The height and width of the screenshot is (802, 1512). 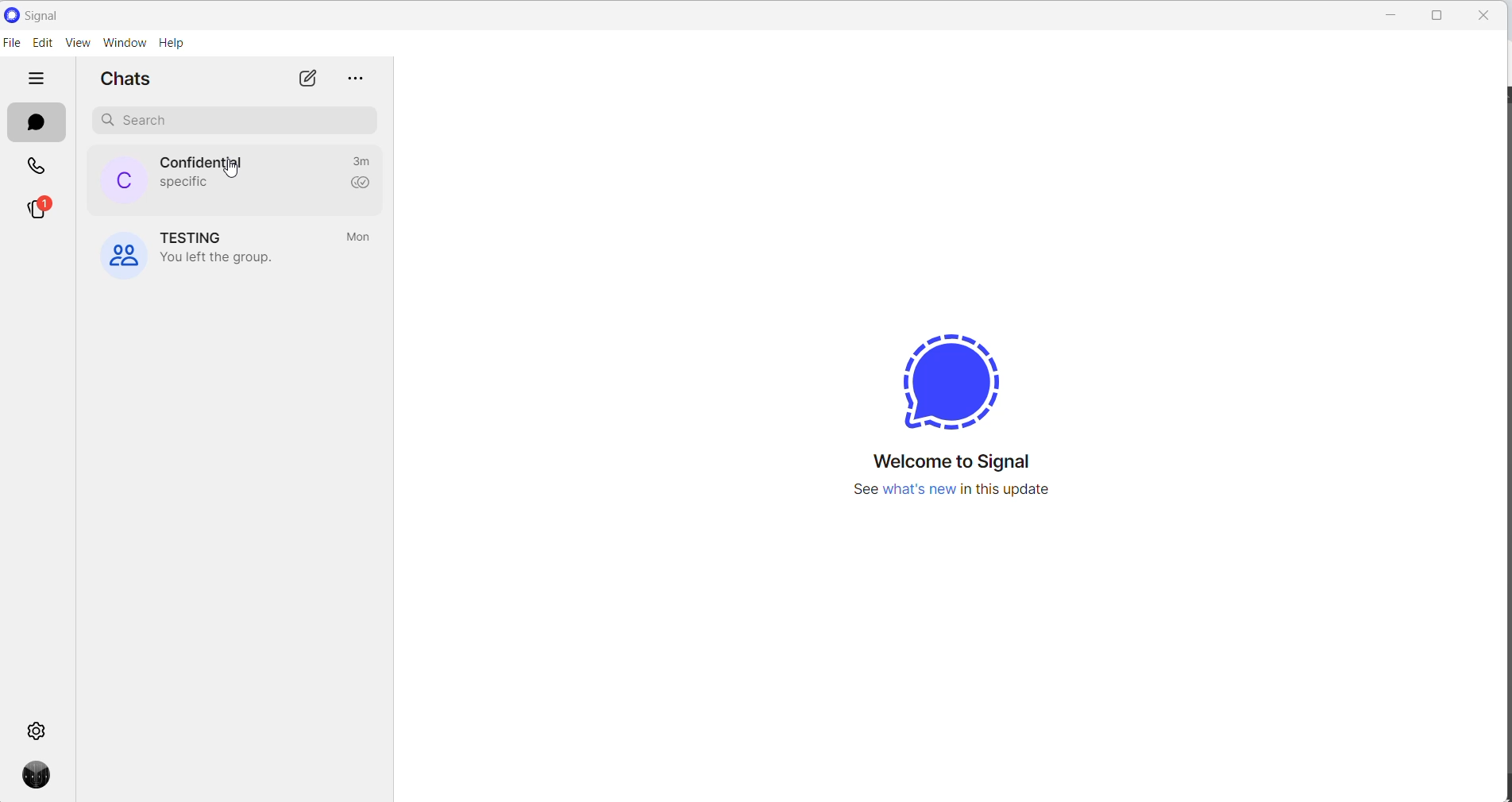 What do you see at coordinates (1439, 16) in the screenshot?
I see `maximize` at bounding box center [1439, 16].